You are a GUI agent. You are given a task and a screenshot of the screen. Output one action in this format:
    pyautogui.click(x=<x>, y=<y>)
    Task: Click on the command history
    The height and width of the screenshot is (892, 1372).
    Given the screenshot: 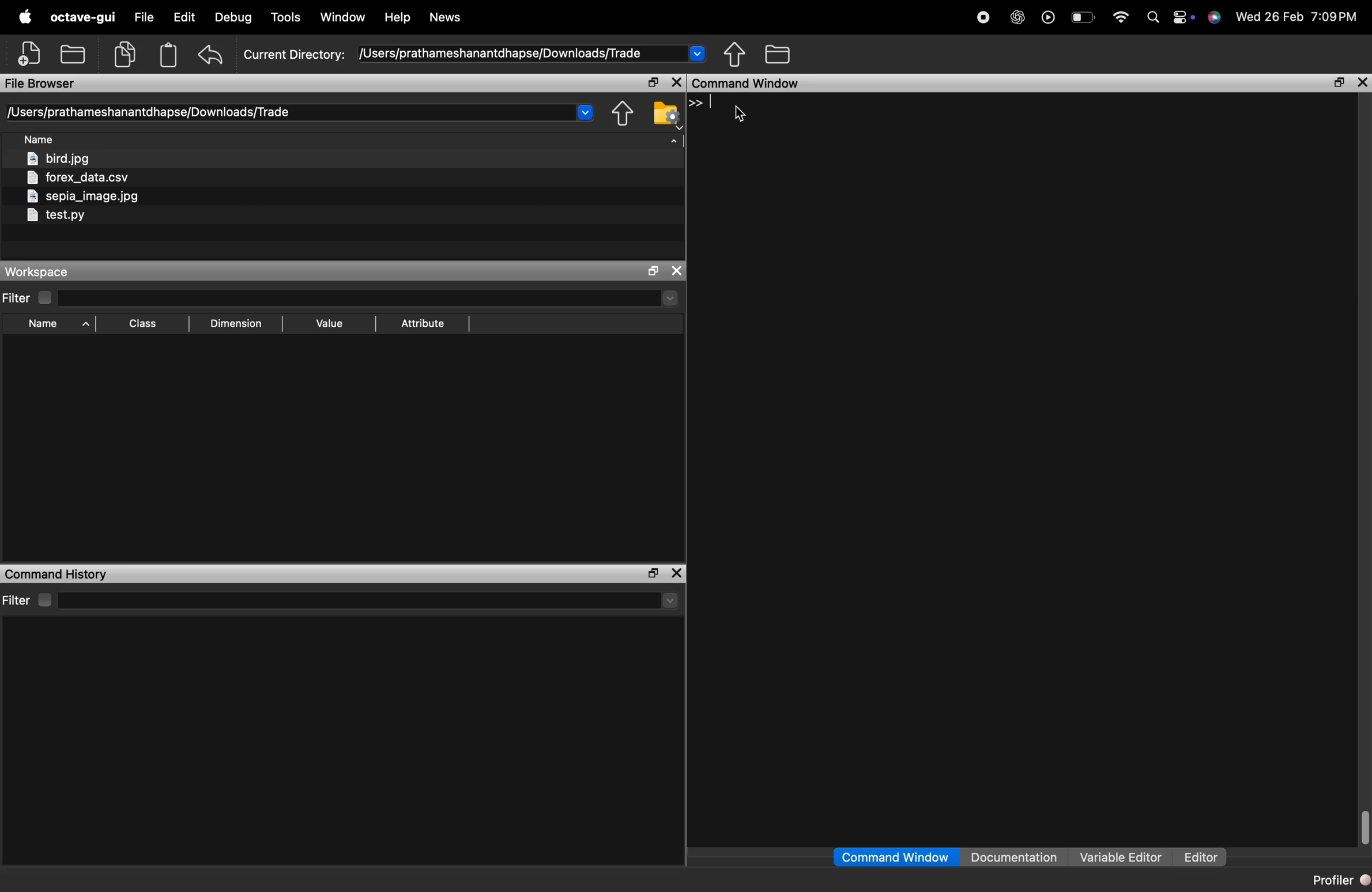 What is the action you would take?
    pyautogui.click(x=61, y=574)
    